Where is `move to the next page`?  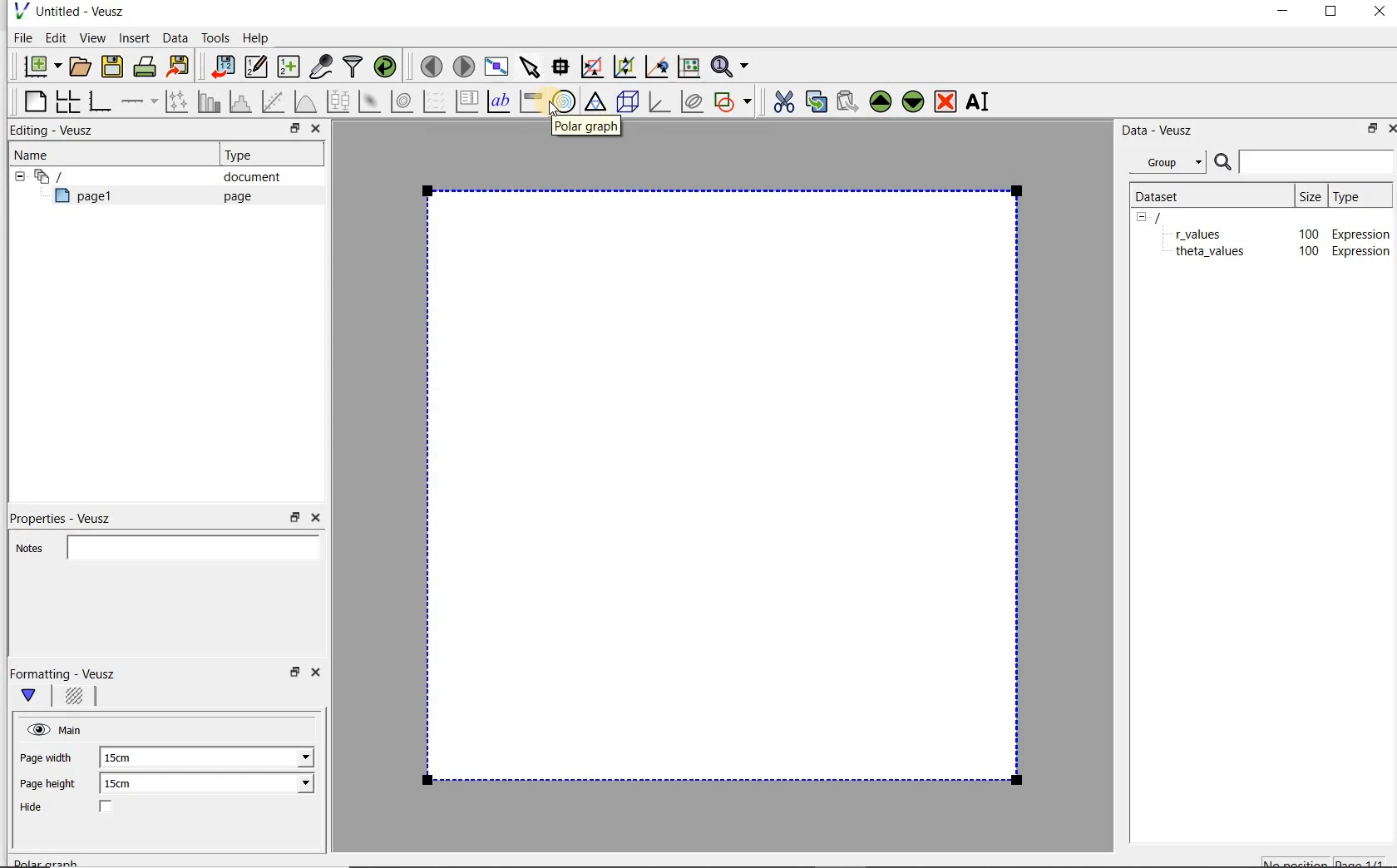 move to the next page is located at coordinates (464, 67).